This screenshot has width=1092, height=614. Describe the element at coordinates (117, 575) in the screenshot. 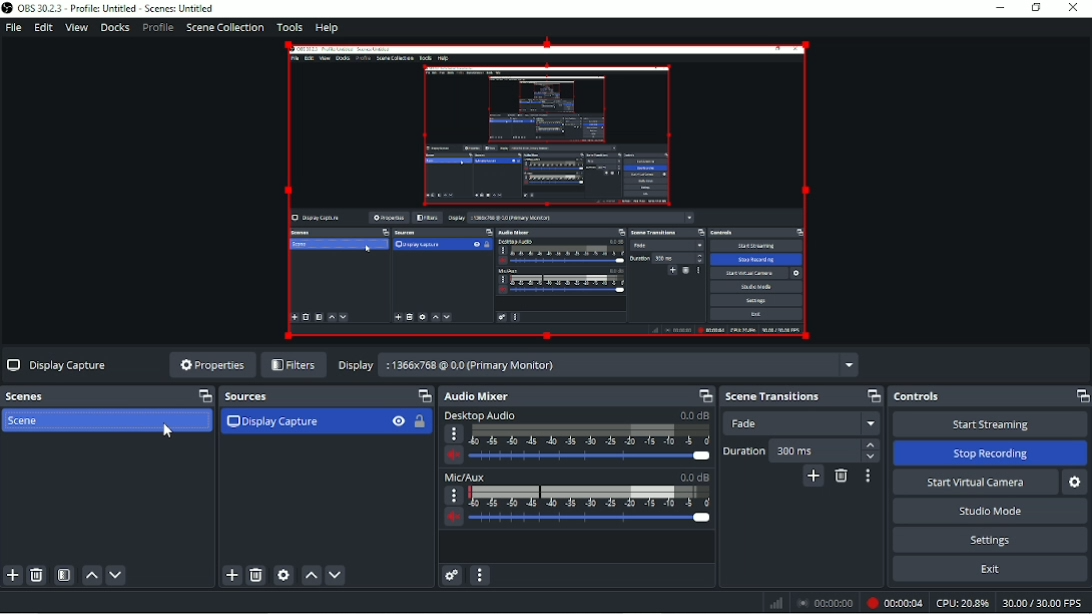

I see `Move scene down` at that location.